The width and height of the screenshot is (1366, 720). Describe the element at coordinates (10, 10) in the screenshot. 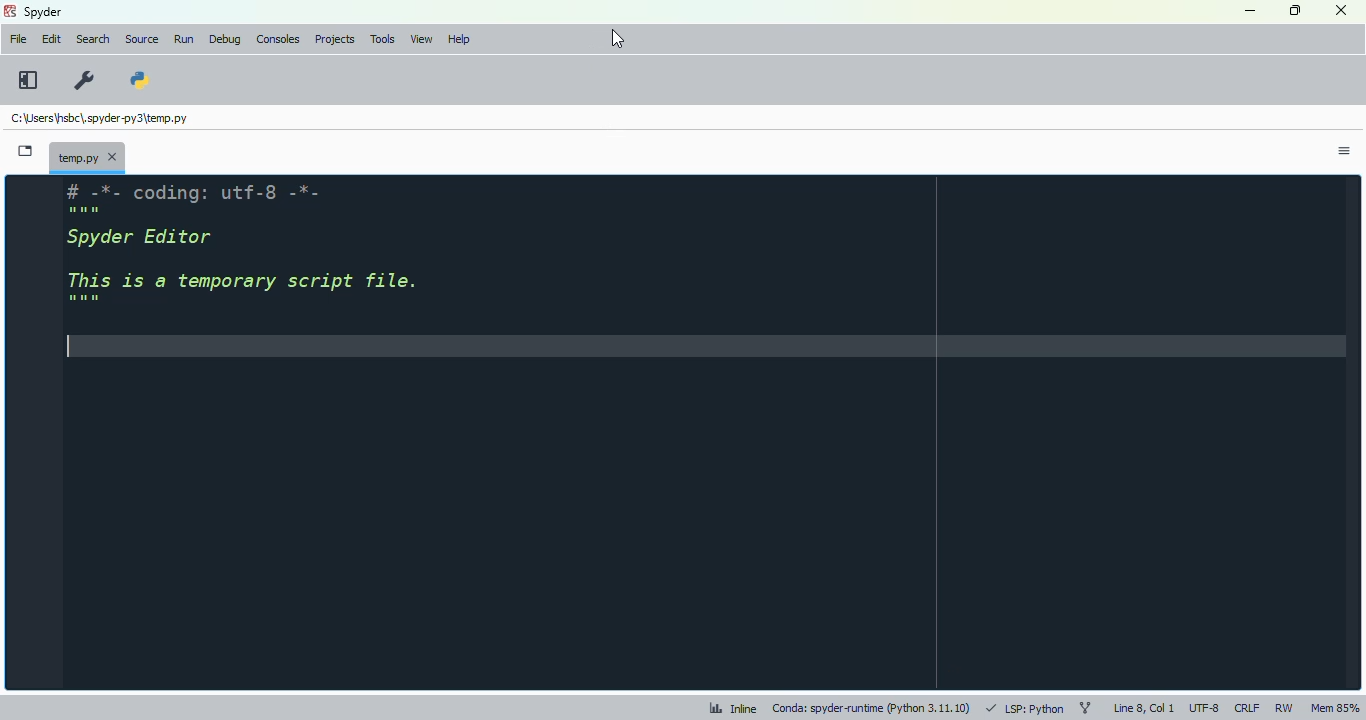

I see `logo` at that location.